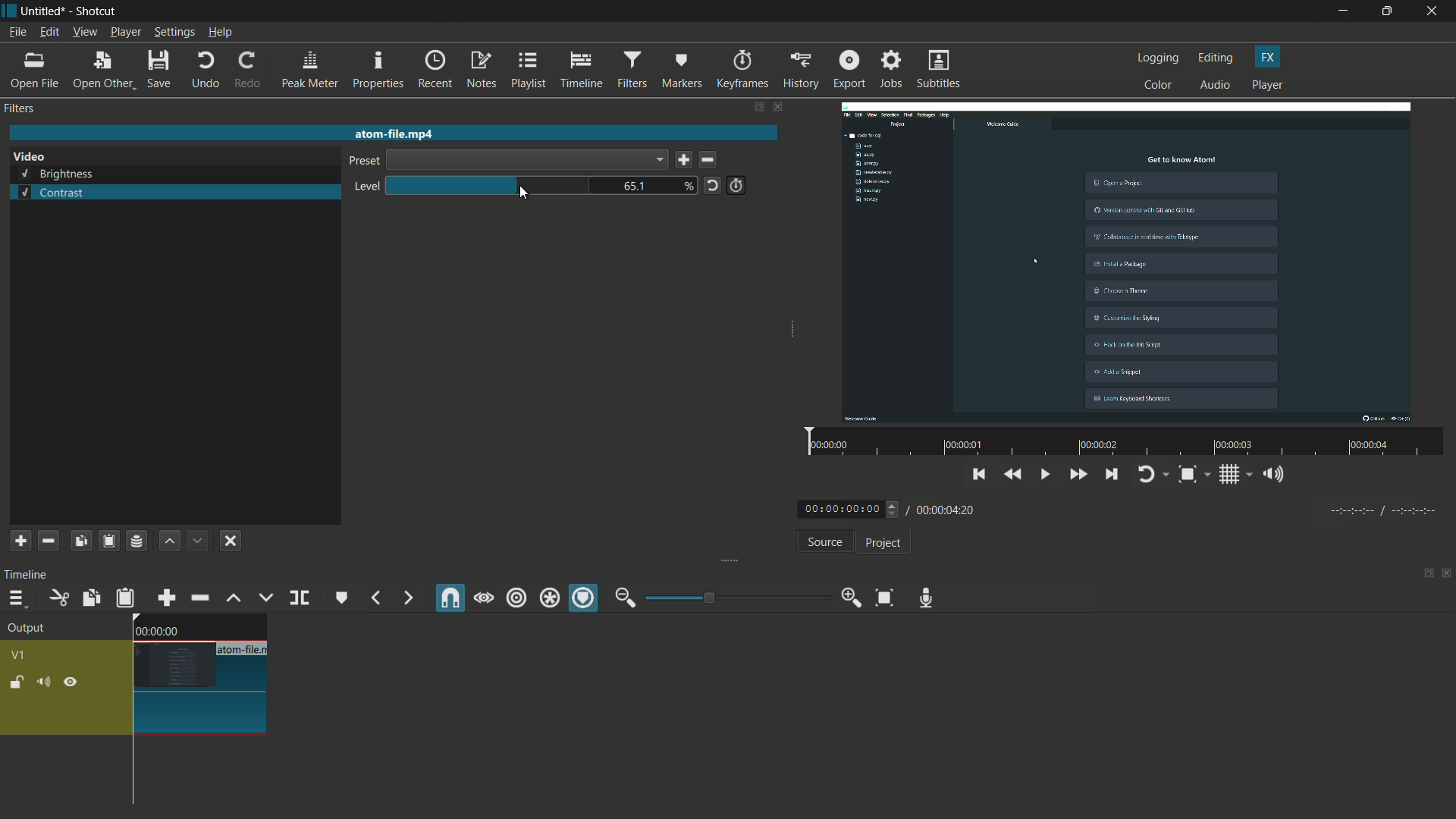  Describe the element at coordinates (169, 541) in the screenshot. I see `move filter up` at that location.